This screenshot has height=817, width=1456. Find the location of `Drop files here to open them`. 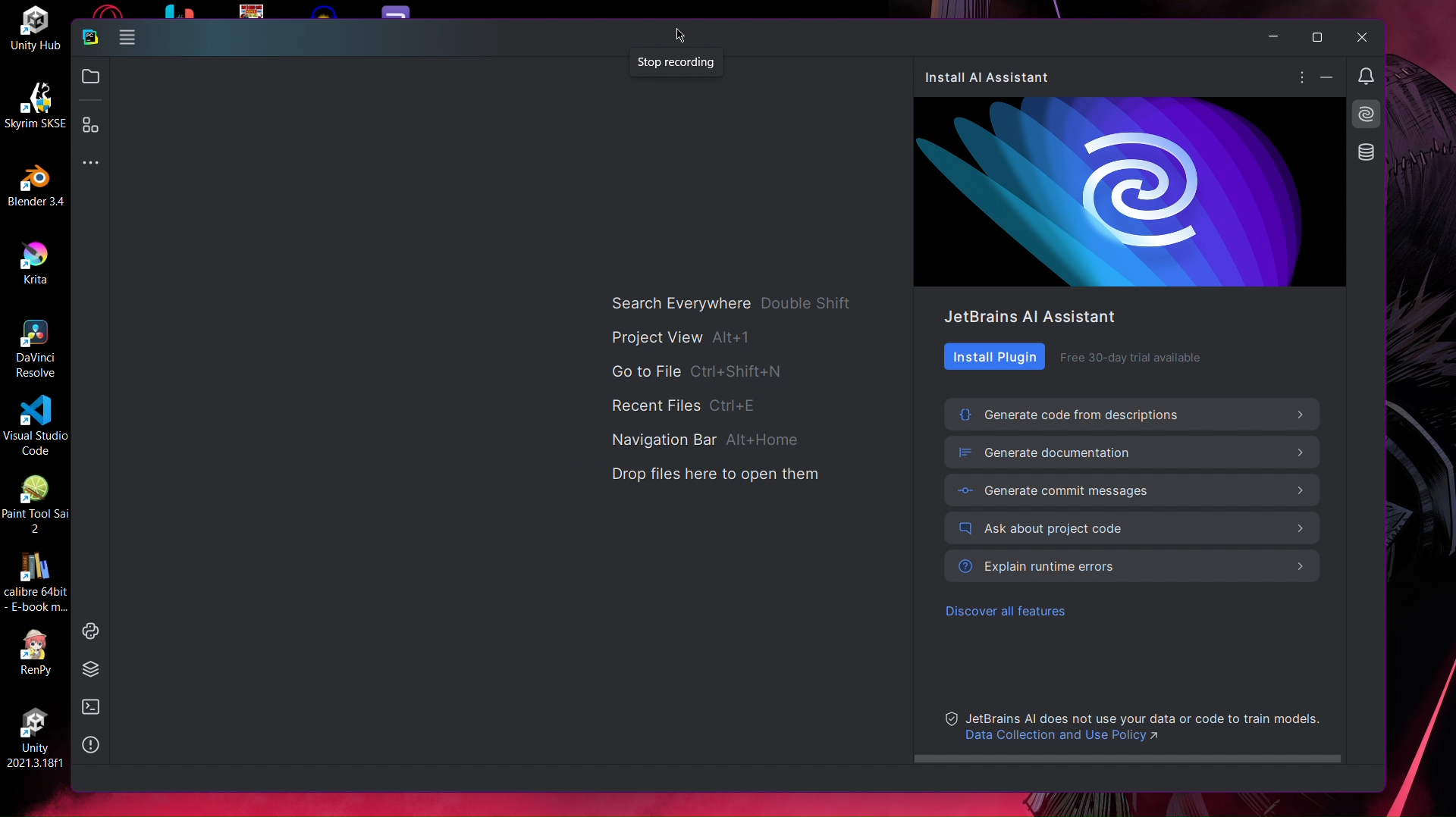

Drop files here to open them is located at coordinates (716, 476).